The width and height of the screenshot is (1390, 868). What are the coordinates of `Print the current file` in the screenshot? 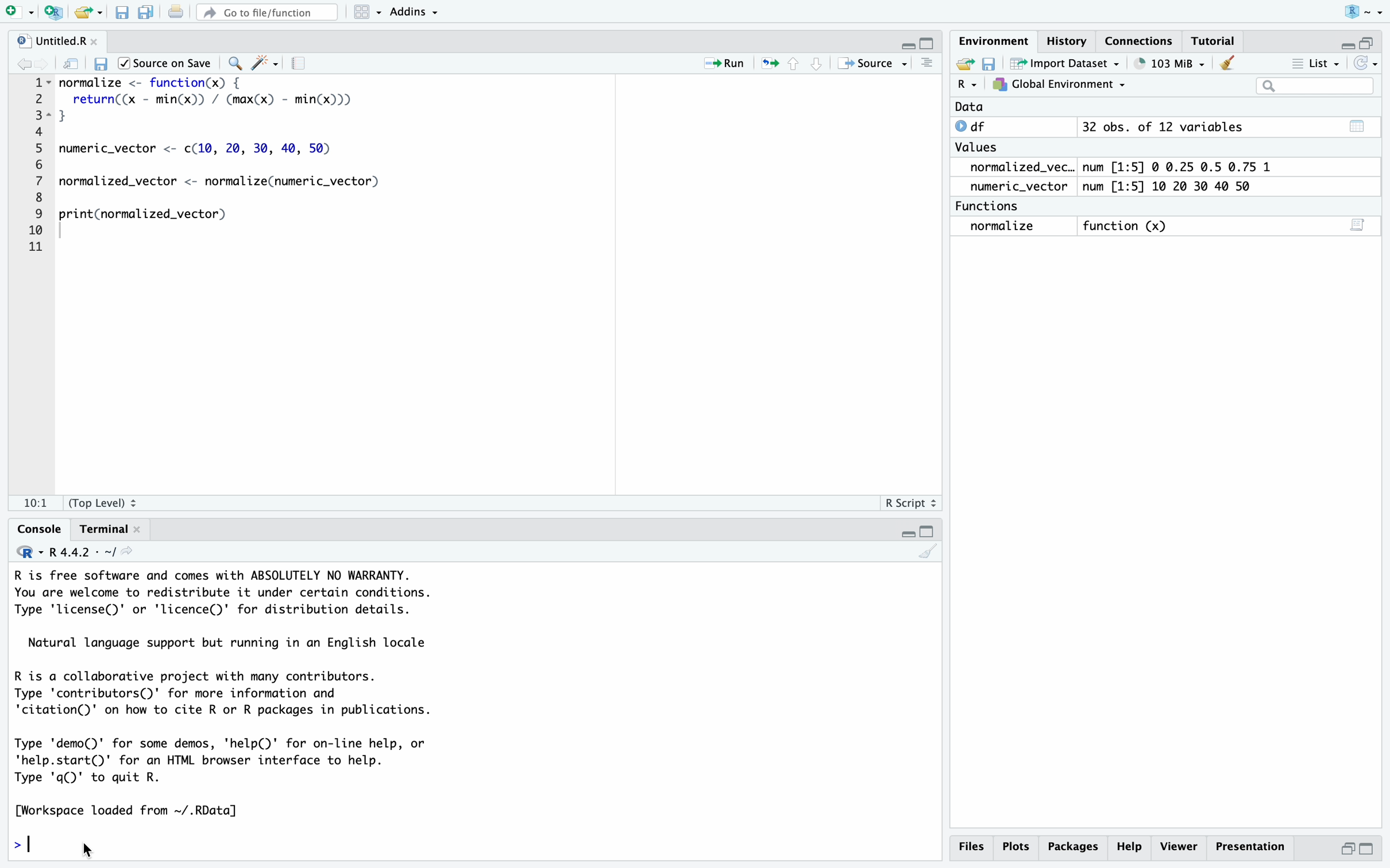 It's located at (176, 14).